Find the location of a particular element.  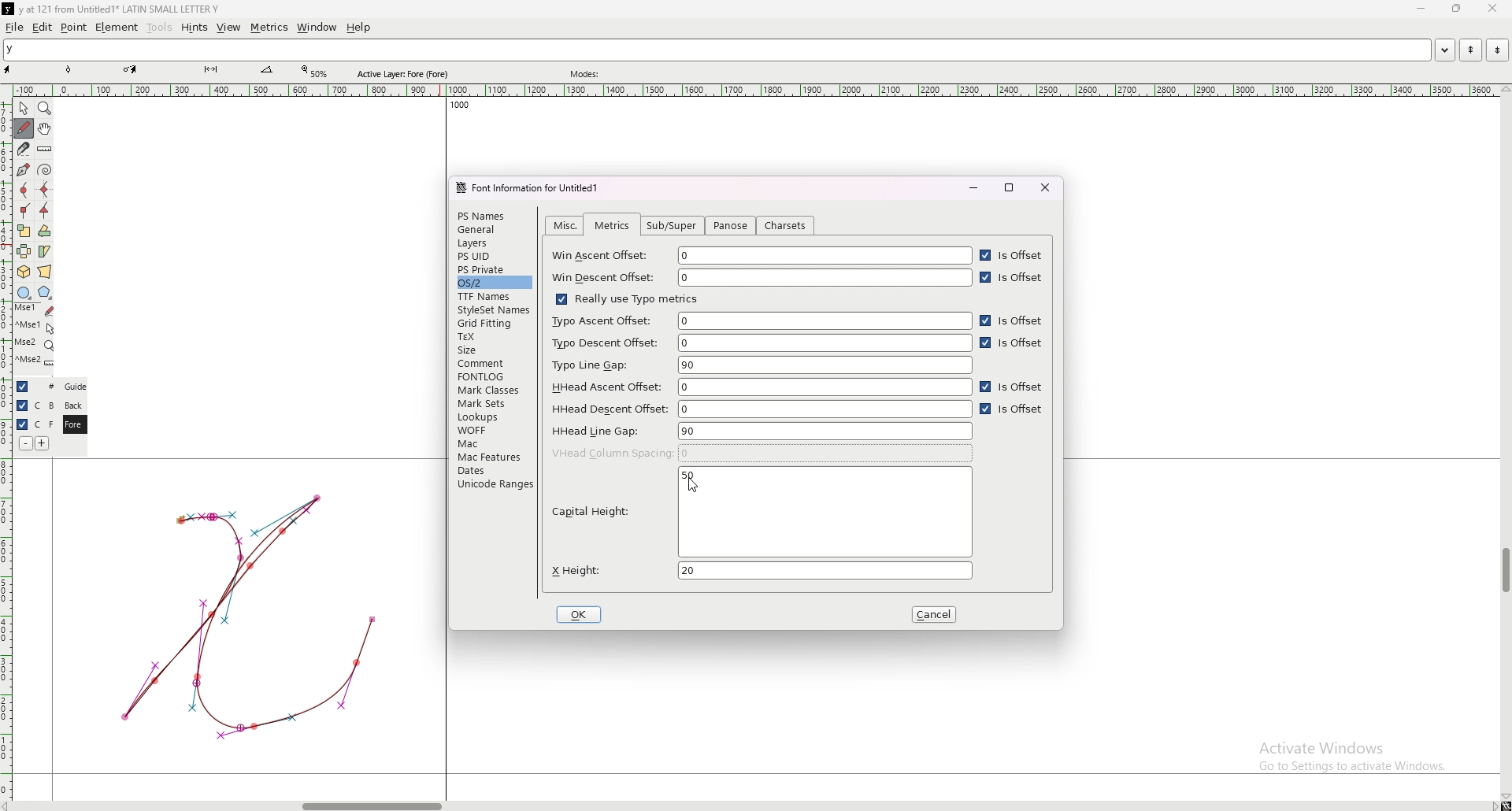

vhead column spacing is located at coordinates (762, 453).